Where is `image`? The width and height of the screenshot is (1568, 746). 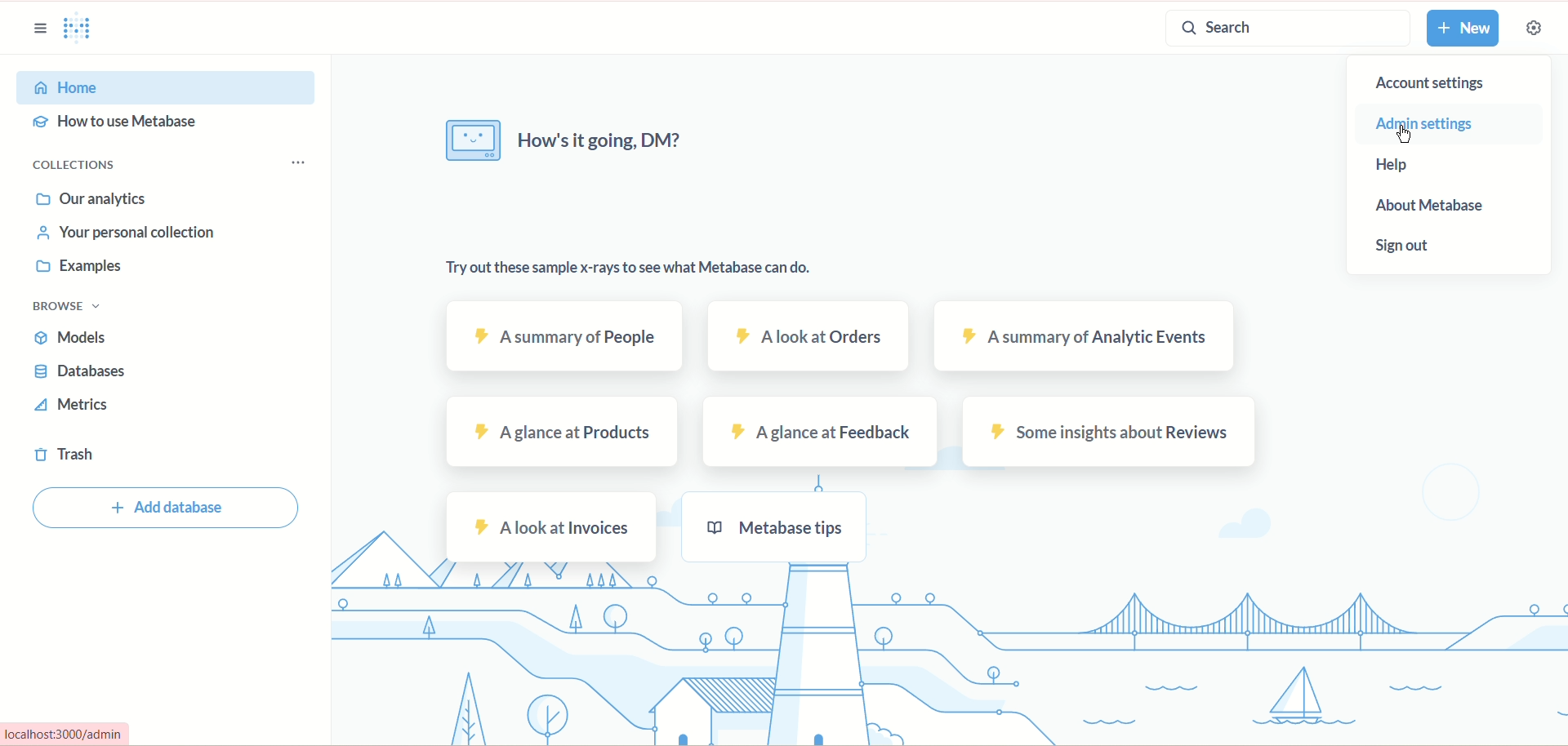
image is located at coordinates (473, 141).